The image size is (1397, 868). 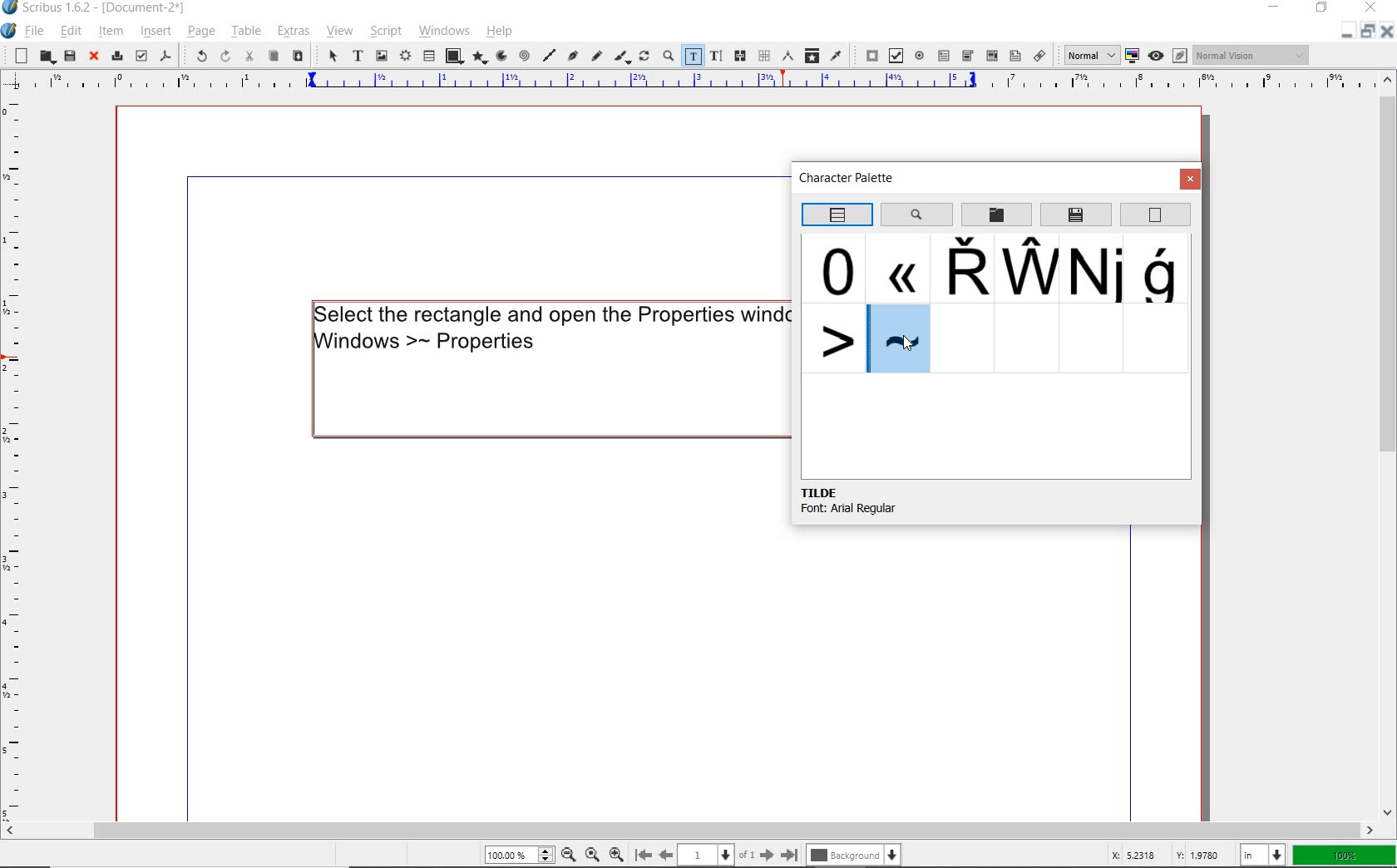 I want to click on table, so click(x=245, y=32).